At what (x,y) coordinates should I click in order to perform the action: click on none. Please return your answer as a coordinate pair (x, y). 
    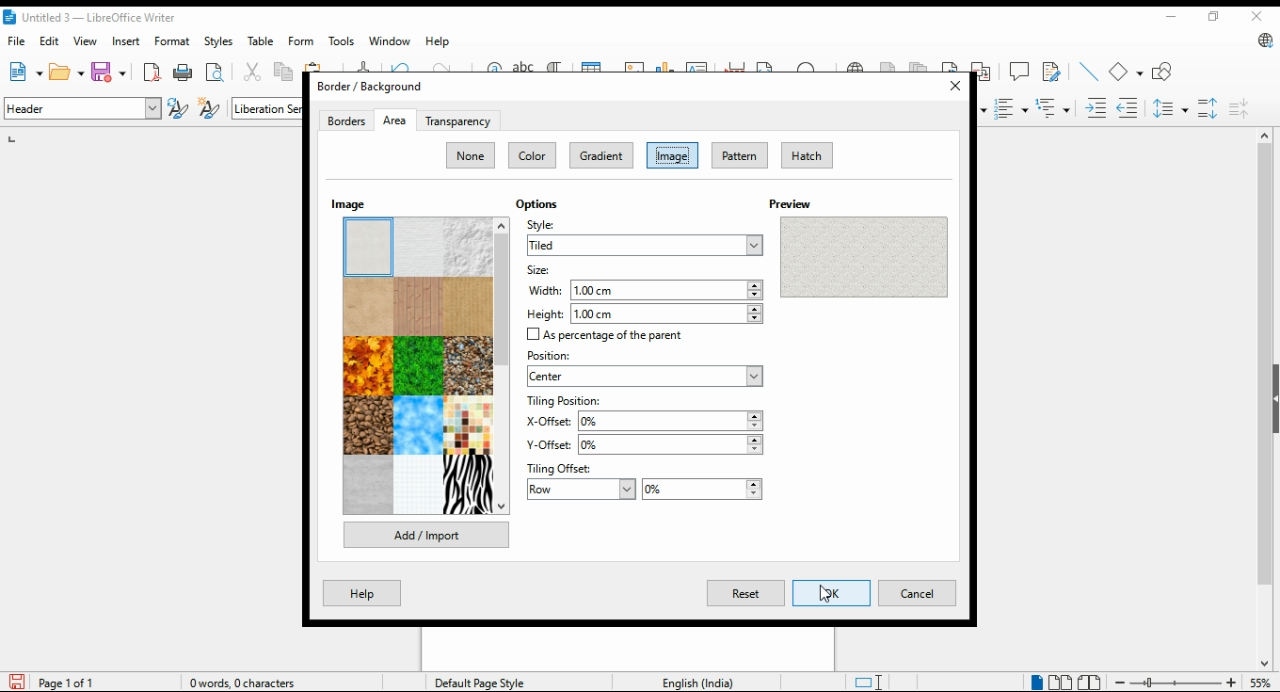
    Looking at the image, I should click on (472, 155).